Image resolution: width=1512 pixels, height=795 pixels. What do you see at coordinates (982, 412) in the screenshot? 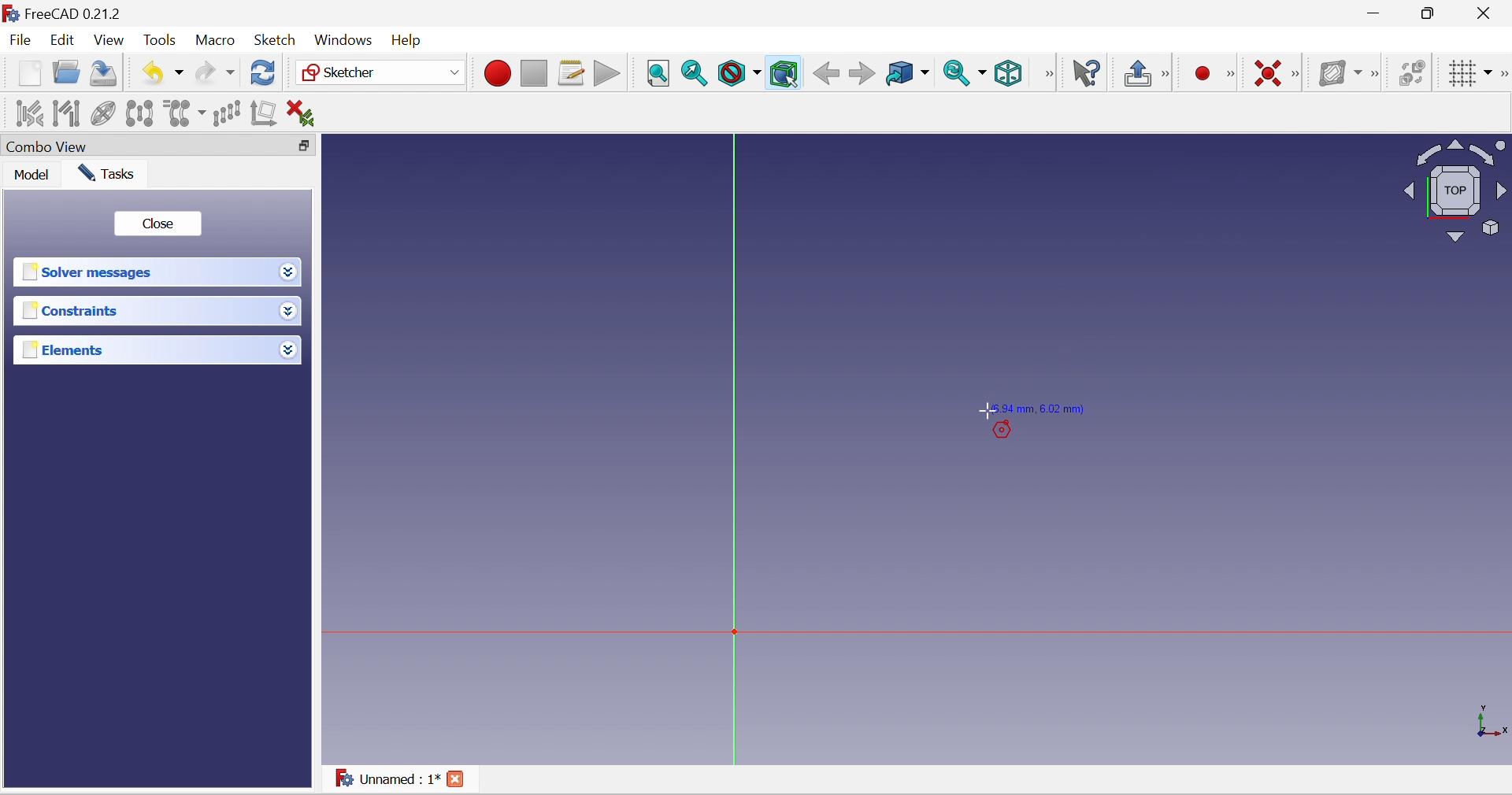
I see `Cursor` at bounding box center [982, 412].